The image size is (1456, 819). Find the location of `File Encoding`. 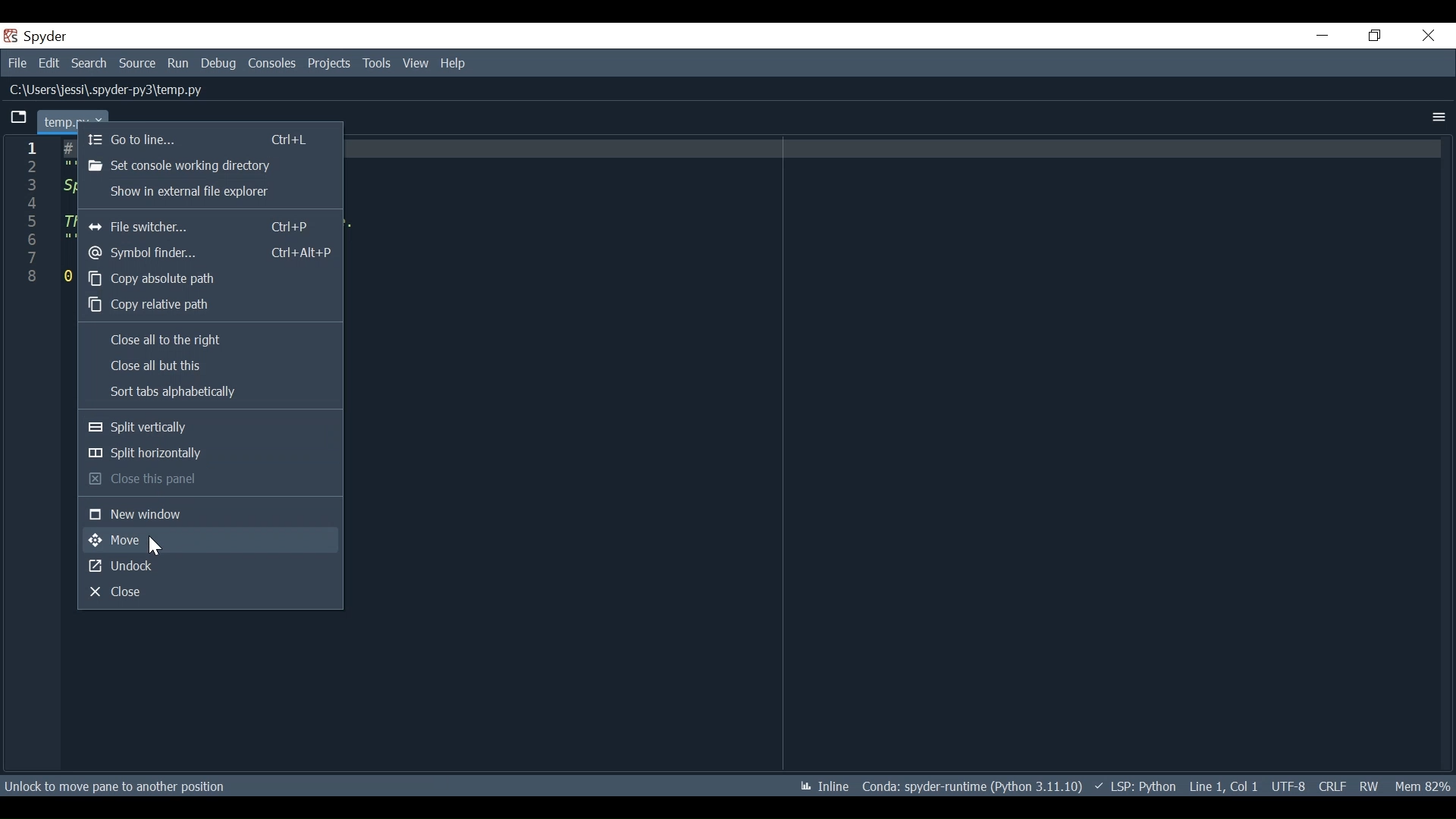

File Encoding is located at coordinates (1287, 787).